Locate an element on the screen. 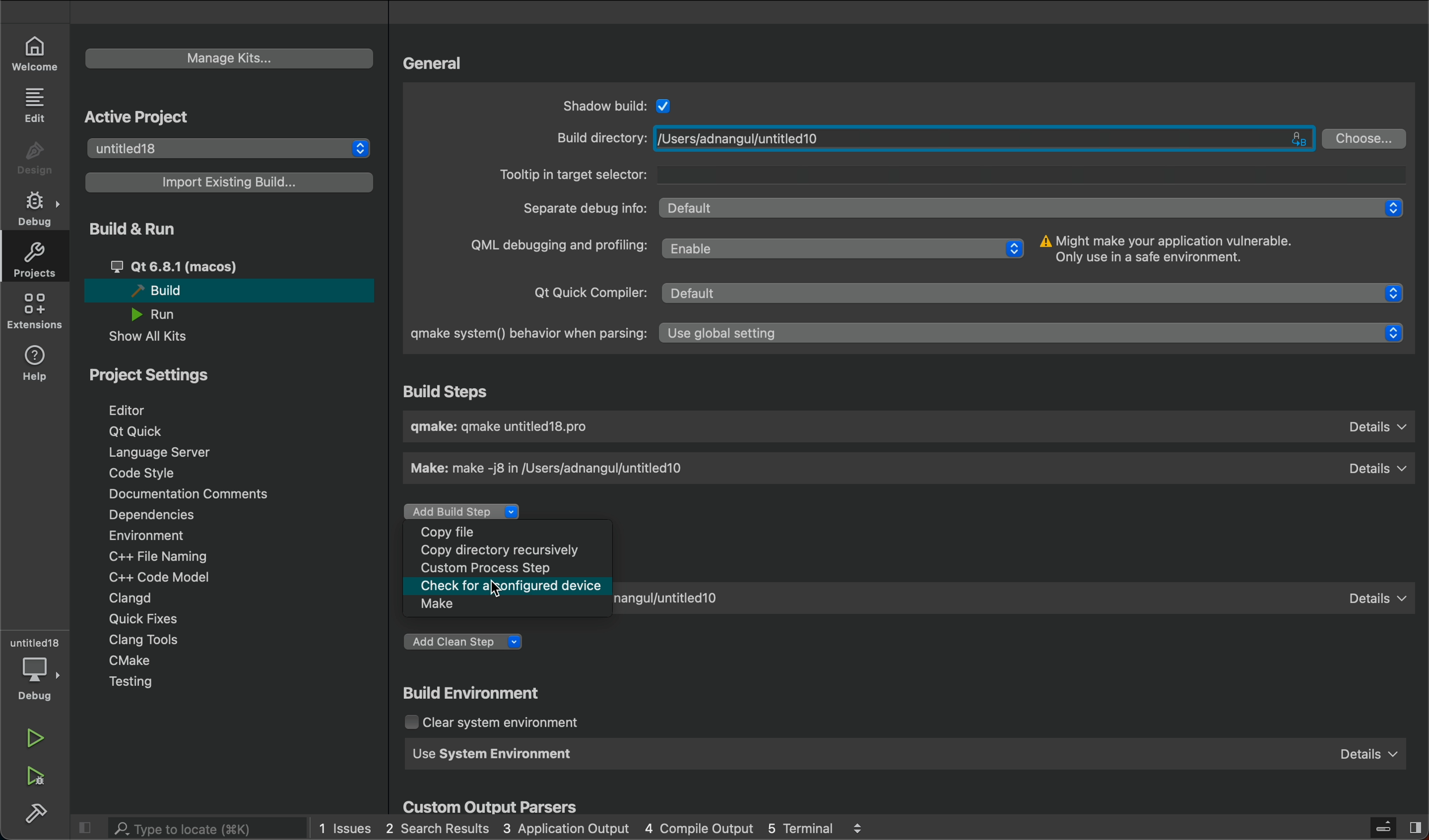 The width and height of the screenshot is (1429, 840). 5 Terminal is located at coordinates (802, 829).